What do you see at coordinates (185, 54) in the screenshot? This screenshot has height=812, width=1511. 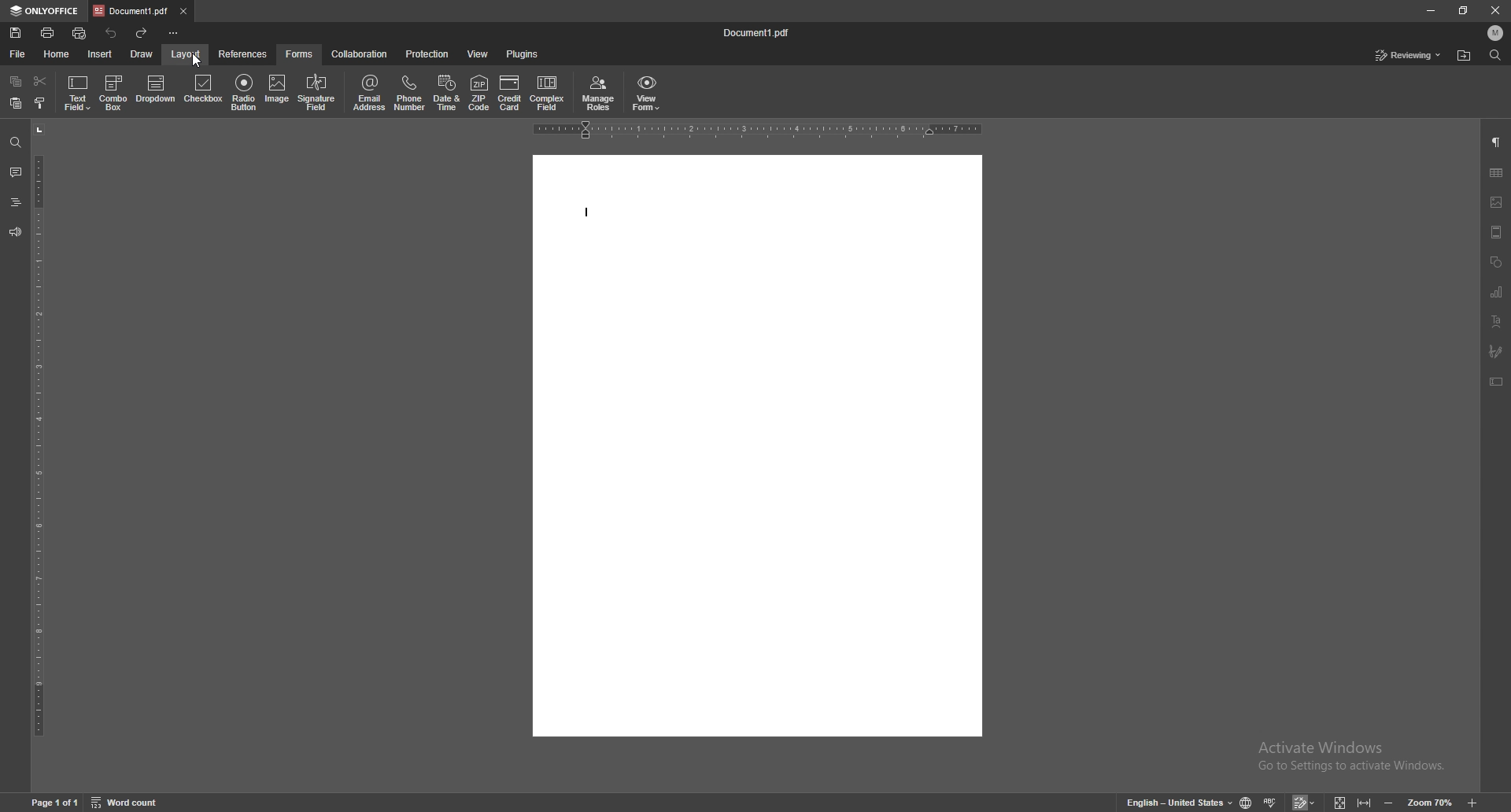 I see `layout` at bounding box center [185, 54].